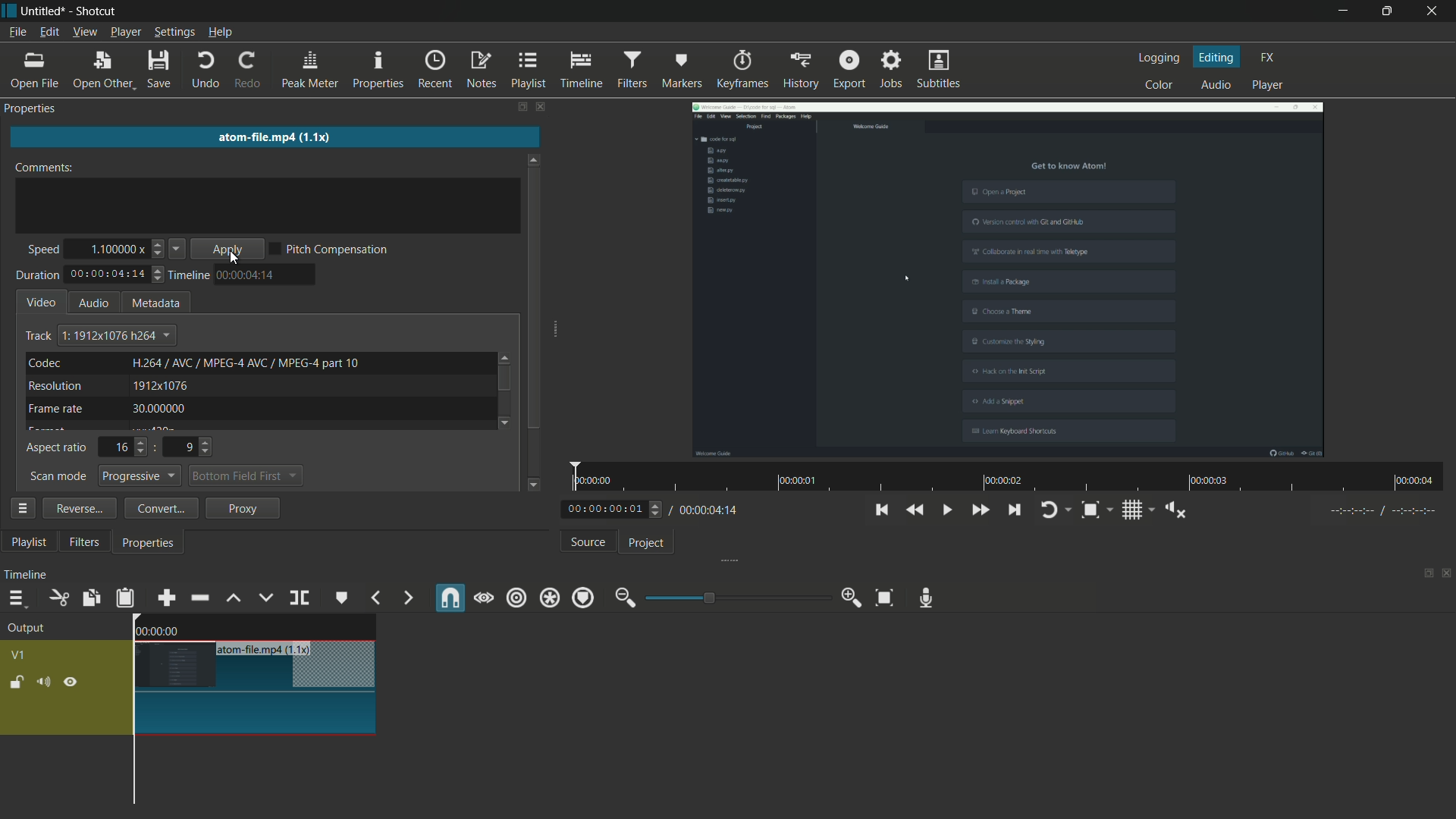 This screenshot has height=819, width=1456. Describe the element at coordinates (1013, 509) in the screenshot. I see `skip to the next point` at that location.